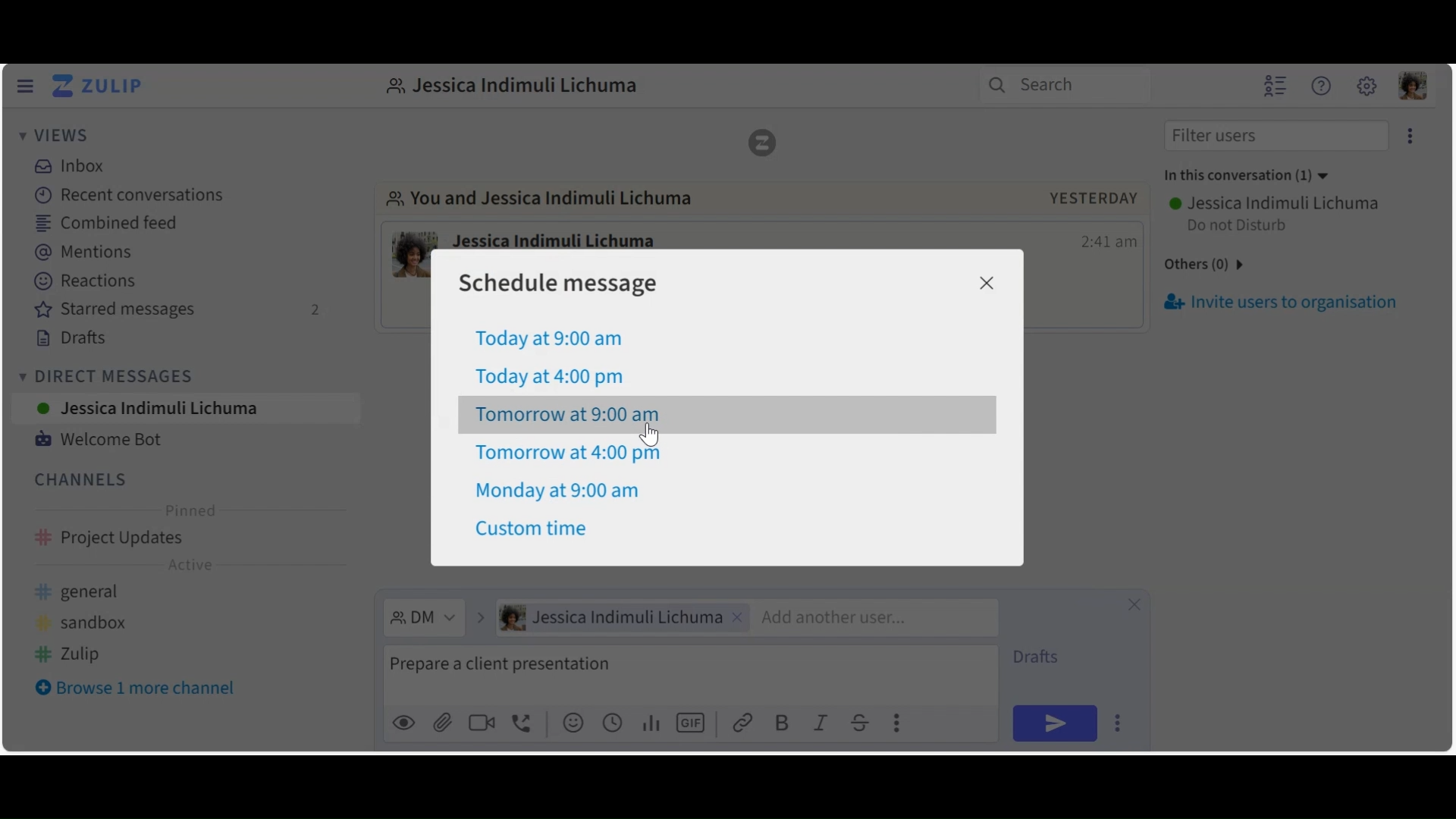 This screenshot has height=819, width=1456. I want to click on Channel, so click(185, 539).